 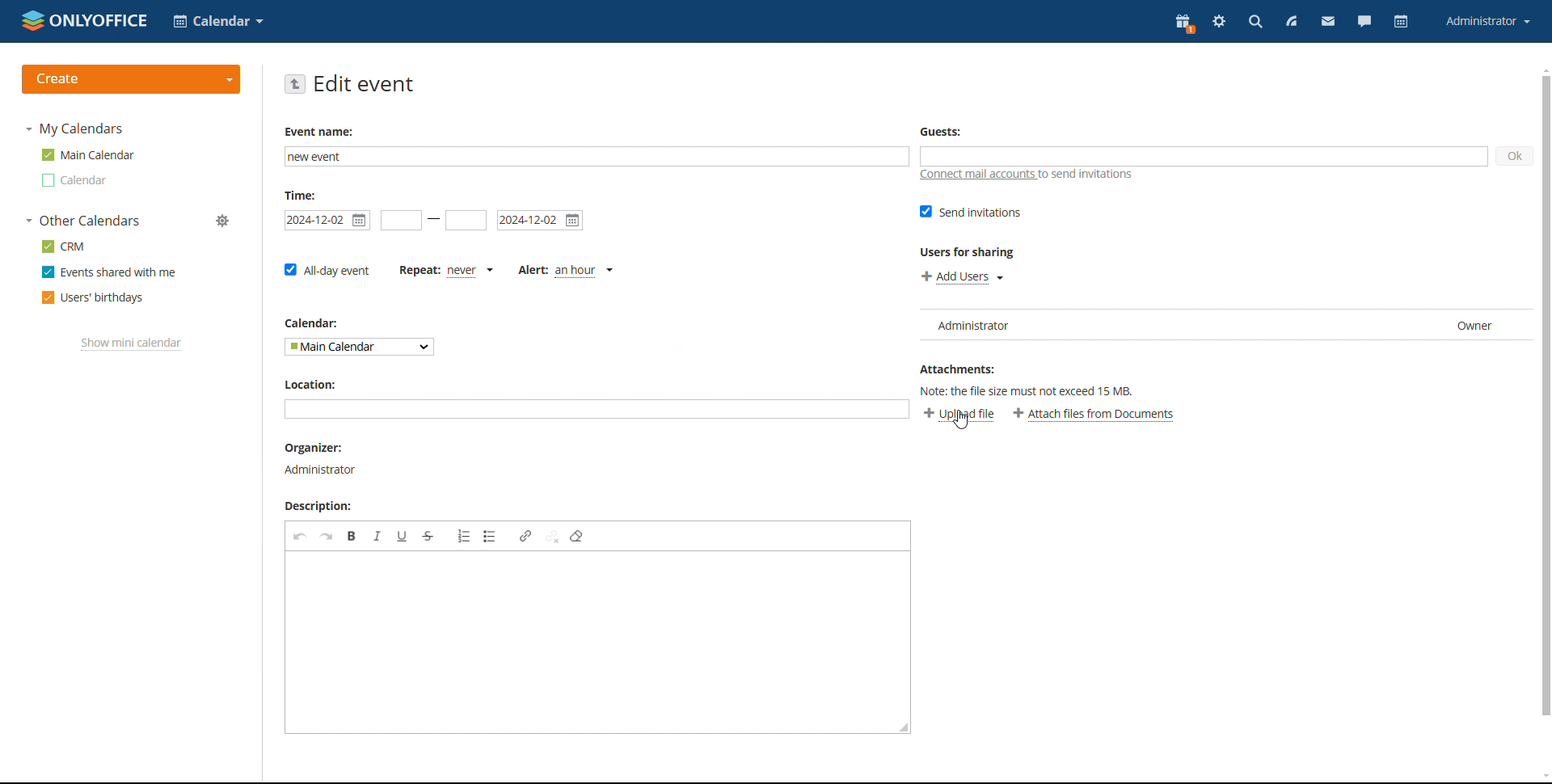 What do you see at coordinates (968, 422) in the screenshot?
I see `cursor` at bounding box center [968, 422].